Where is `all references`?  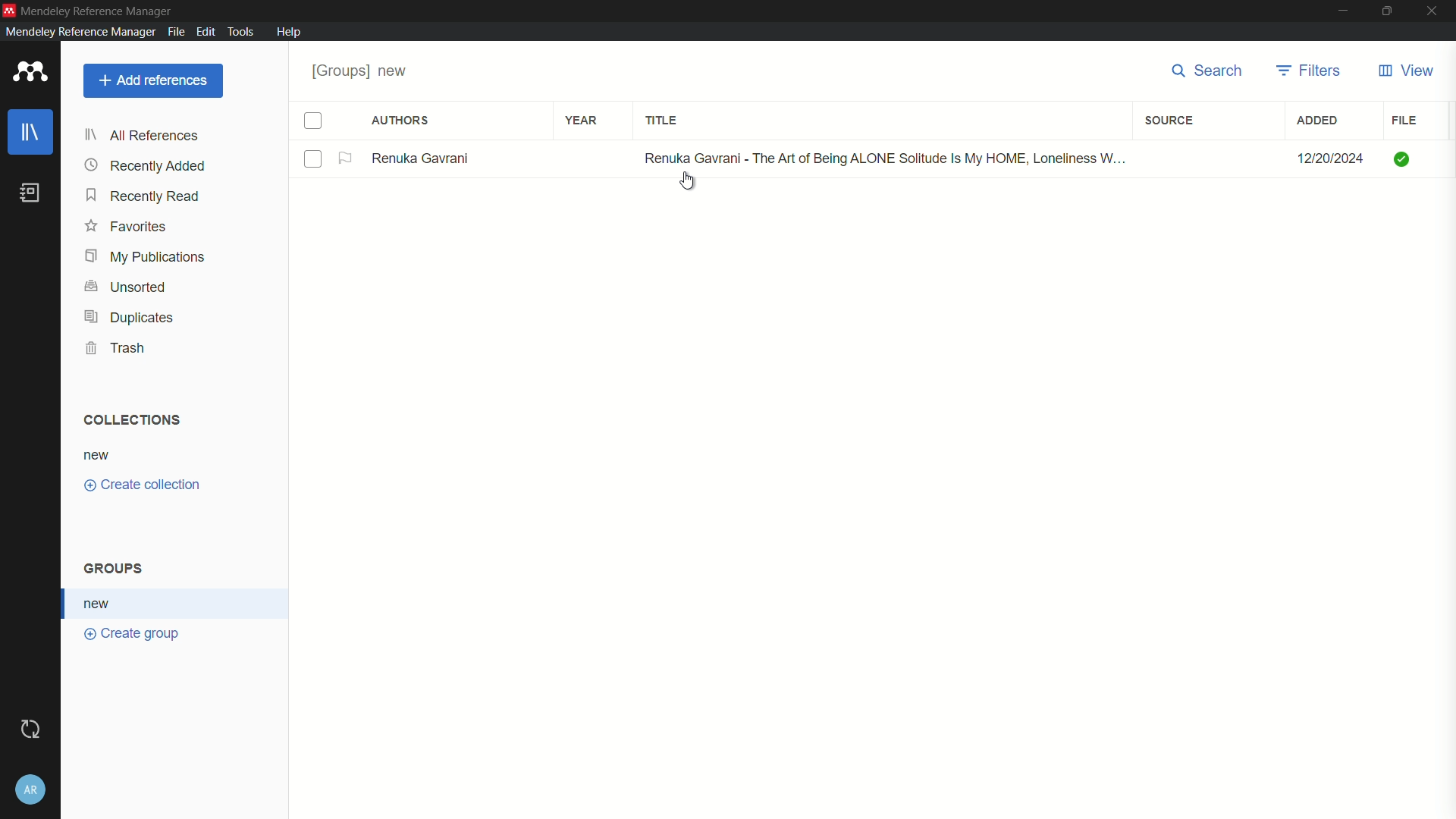
all references is located at coordinates (141, 137).